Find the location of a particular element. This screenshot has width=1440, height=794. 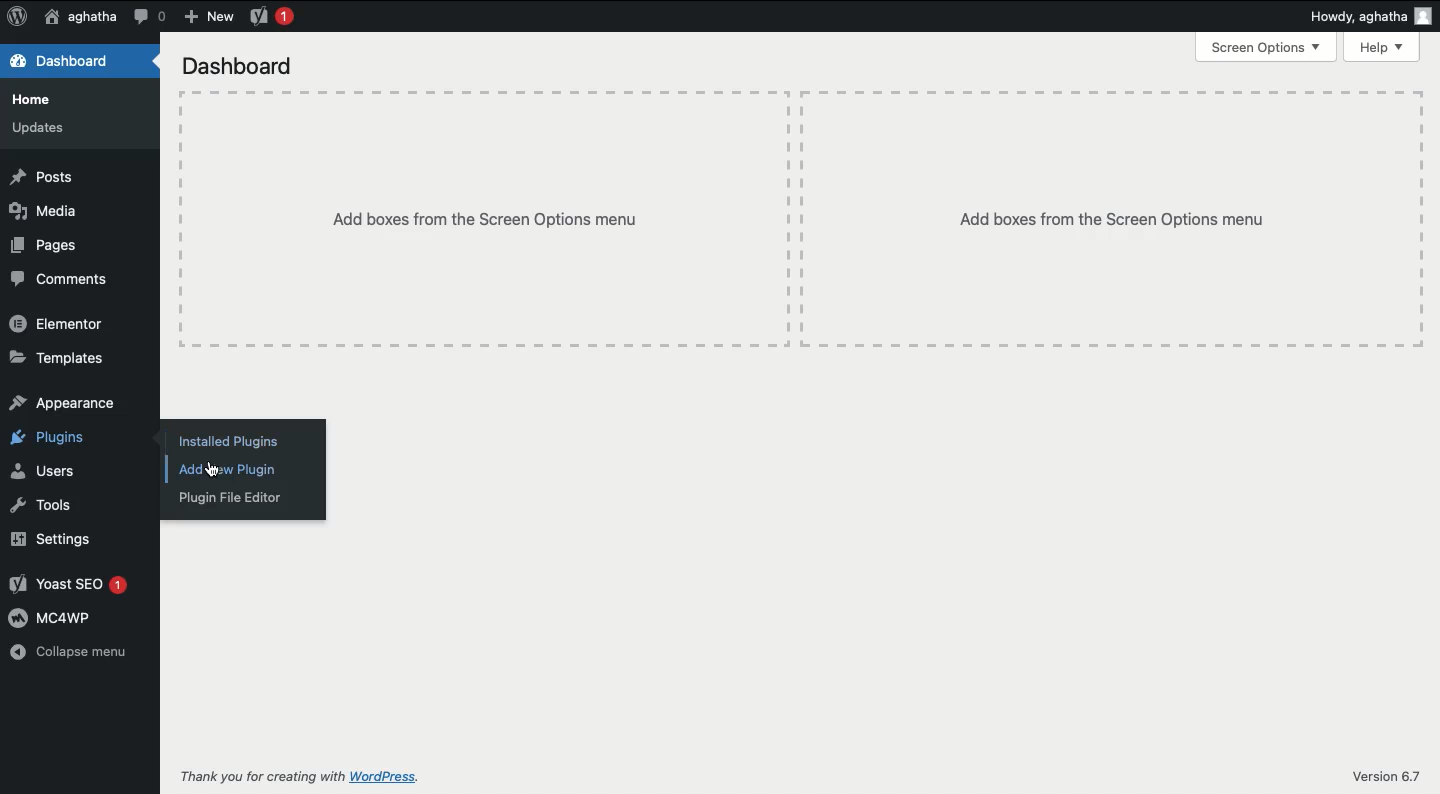

Usera is located at coordinates (80, 18).